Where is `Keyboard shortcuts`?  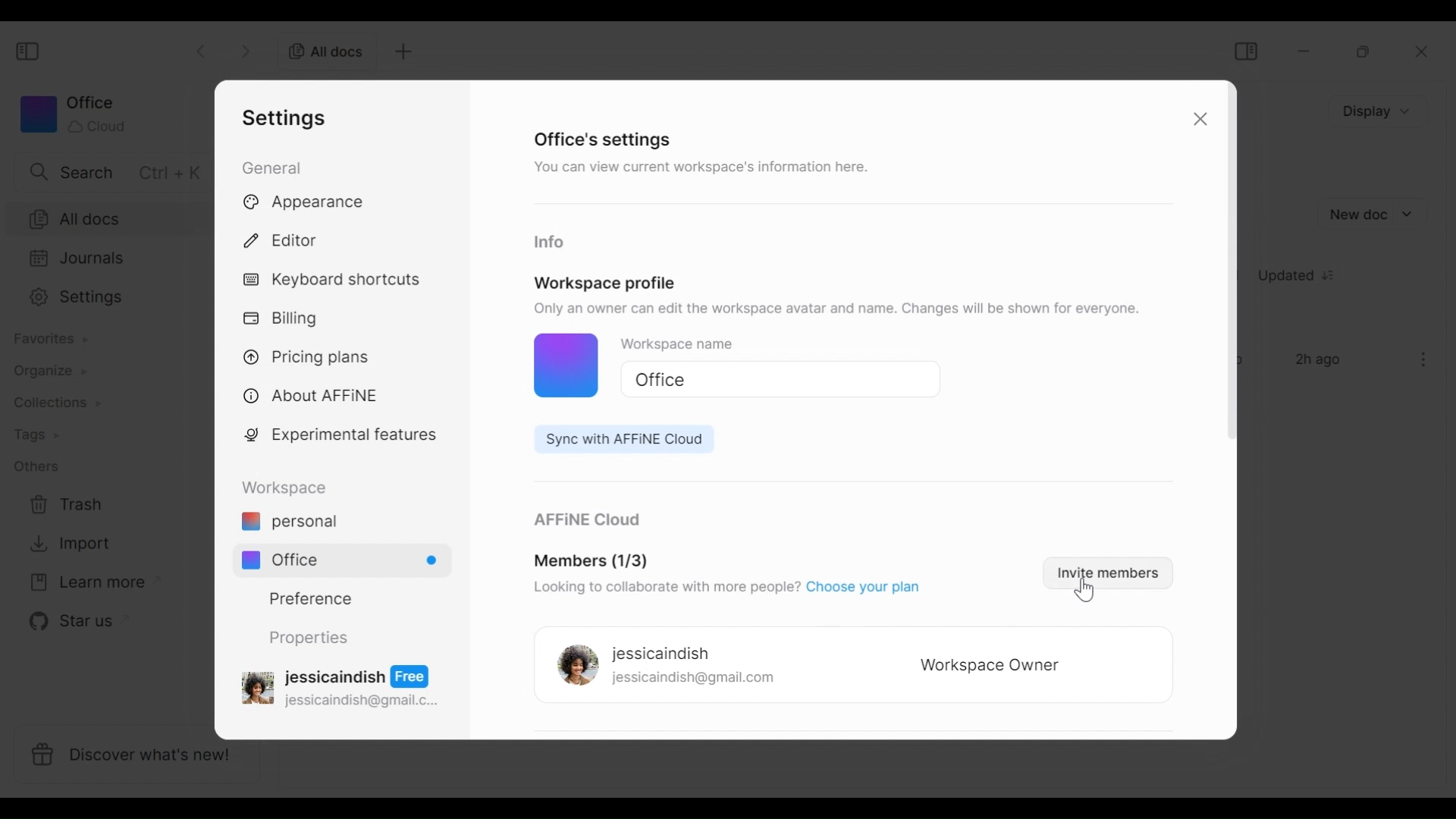 Keyboard shortcuts is located at coordinates (334, 281).